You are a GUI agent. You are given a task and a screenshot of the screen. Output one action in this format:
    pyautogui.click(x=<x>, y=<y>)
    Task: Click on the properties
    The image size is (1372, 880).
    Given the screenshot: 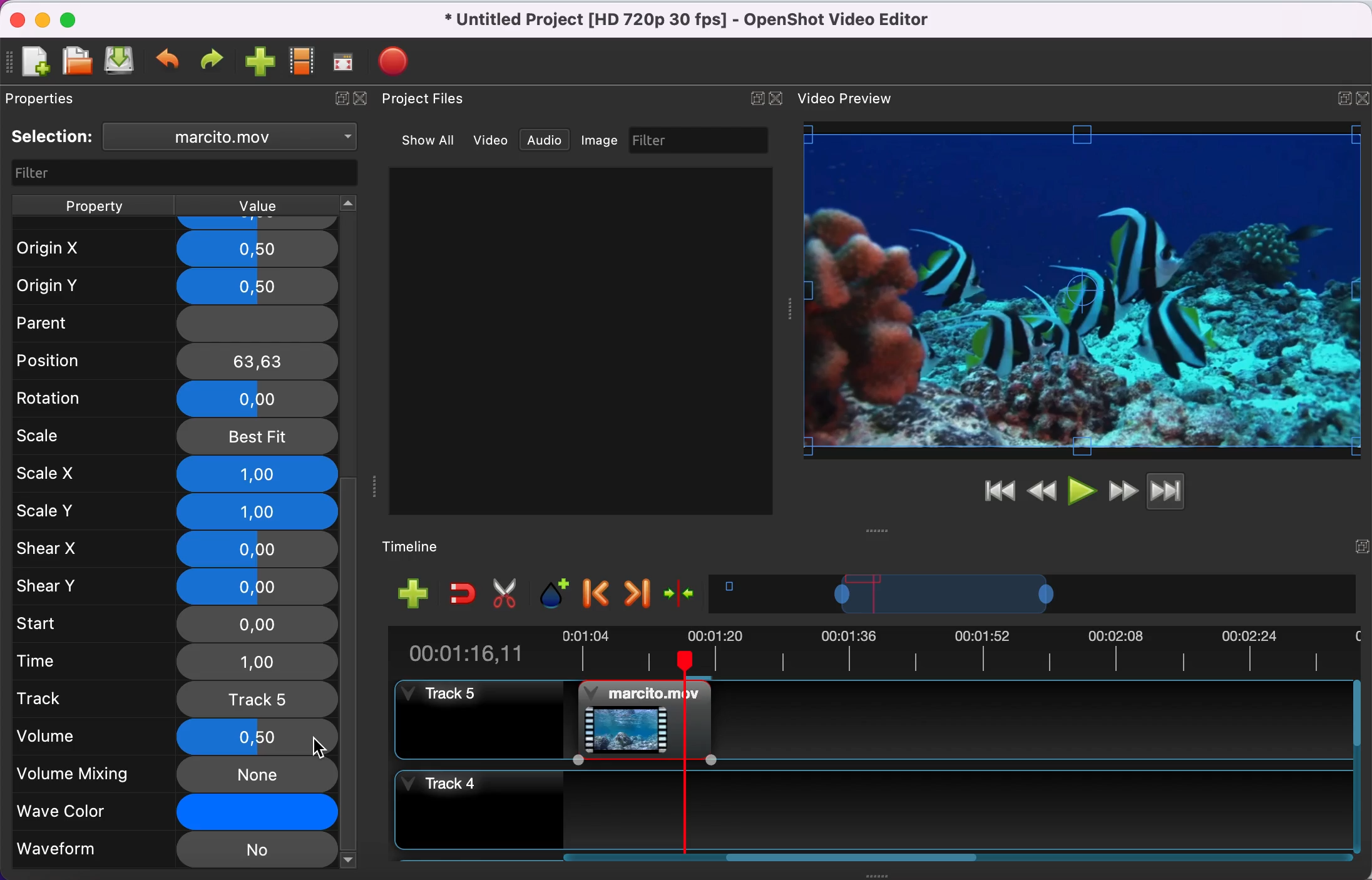 What is the action you would take?
    pyautogui.click(x=60, y=101)
    